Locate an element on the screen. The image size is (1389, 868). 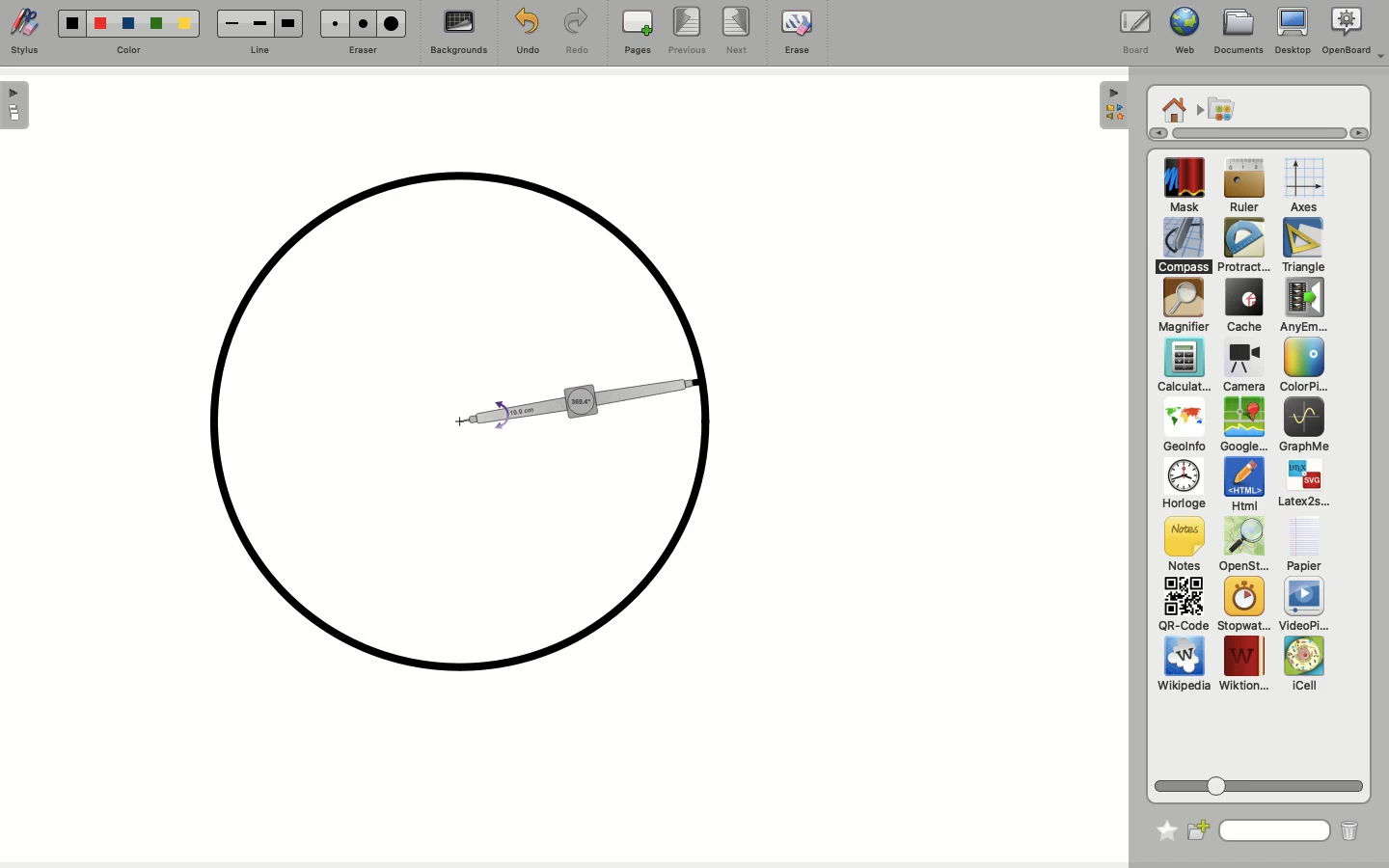
Wikipedia is located at coordinates (1184, 667).